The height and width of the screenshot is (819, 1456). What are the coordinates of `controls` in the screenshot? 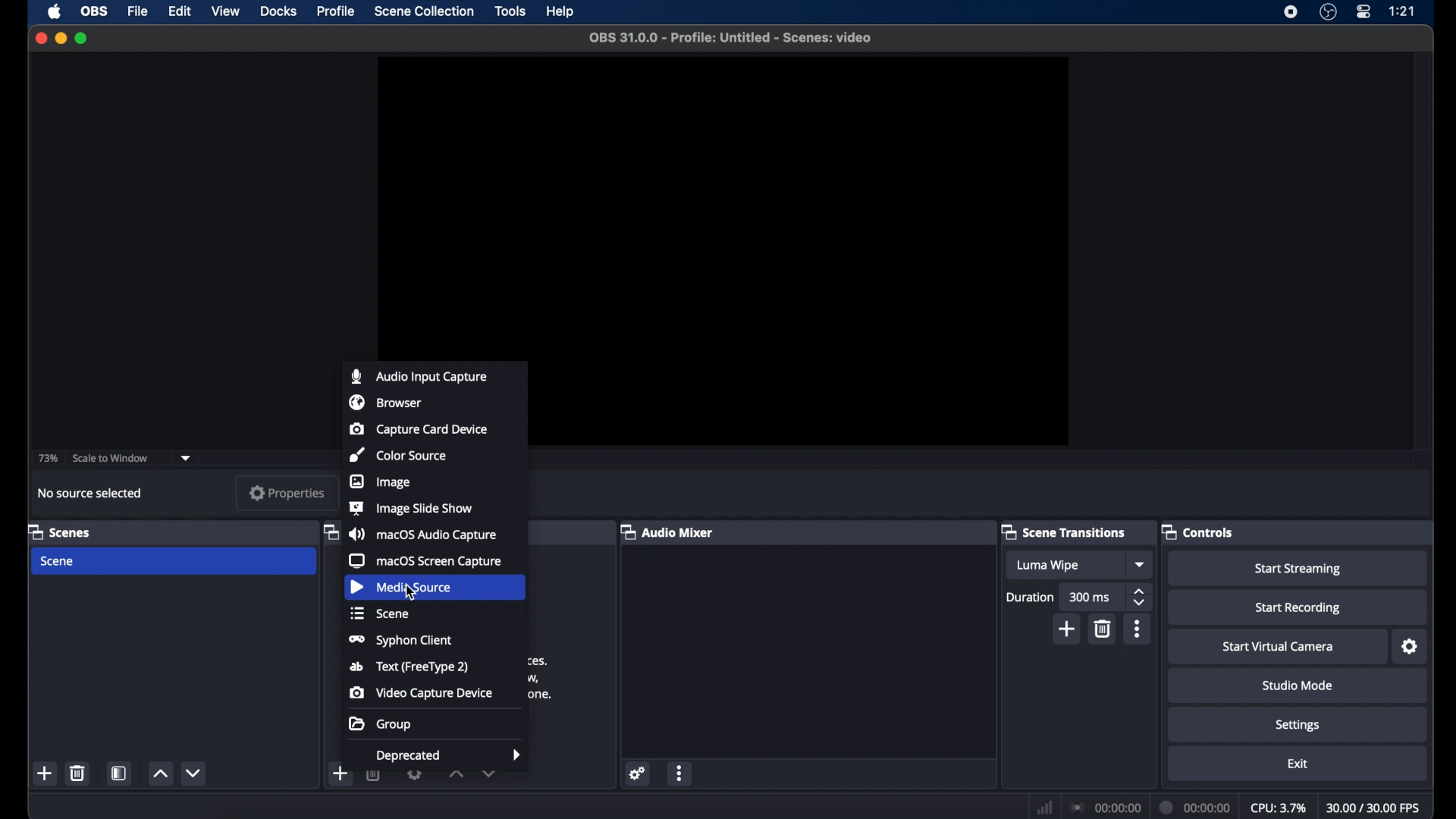 It's located at (1200, 532).